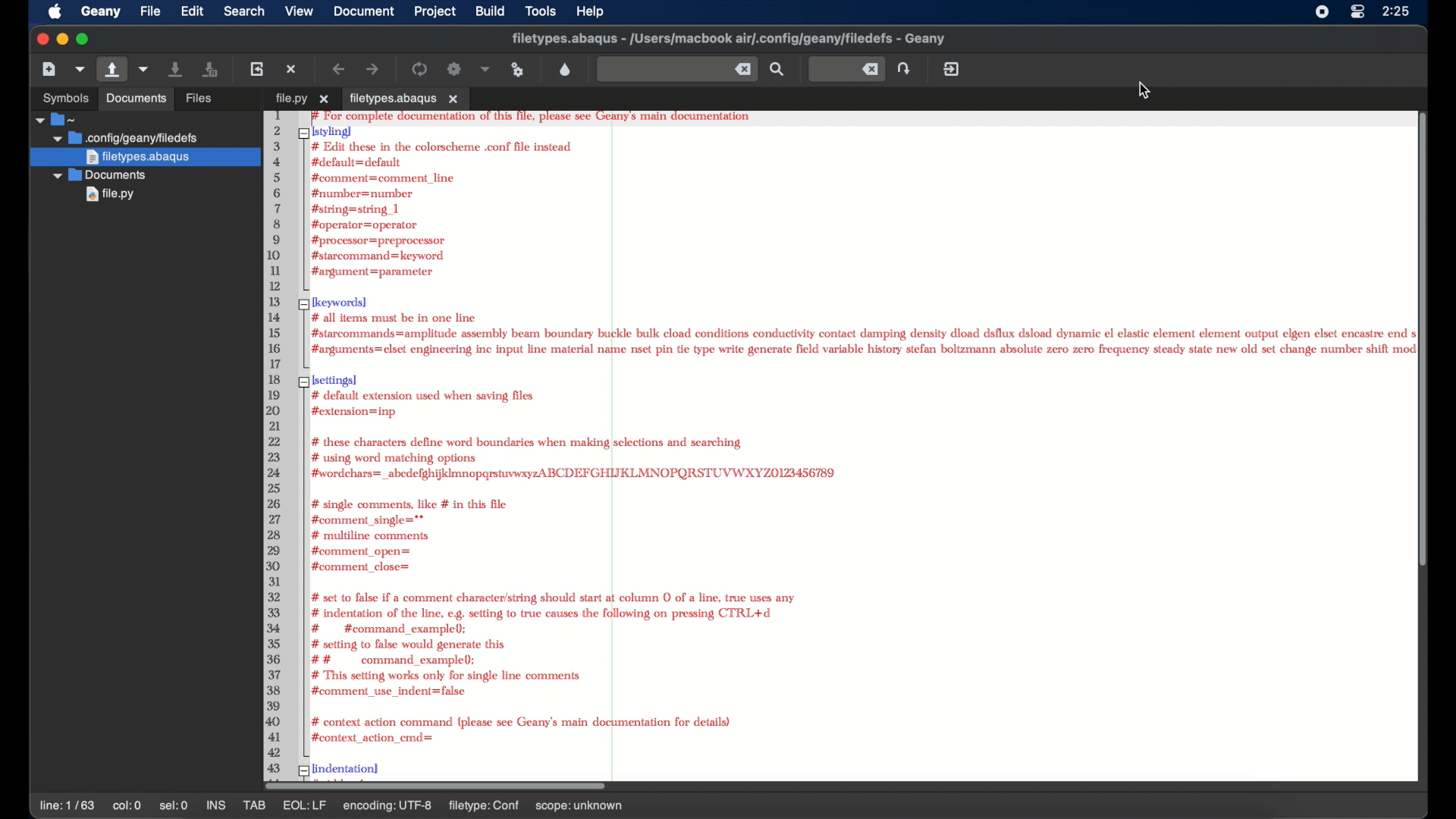 This screenshot has height=819, width=1456. What do you see at coordinates (1146, 90) in the screenshot?
I see `cursor` at bounding box center [1146, 90].